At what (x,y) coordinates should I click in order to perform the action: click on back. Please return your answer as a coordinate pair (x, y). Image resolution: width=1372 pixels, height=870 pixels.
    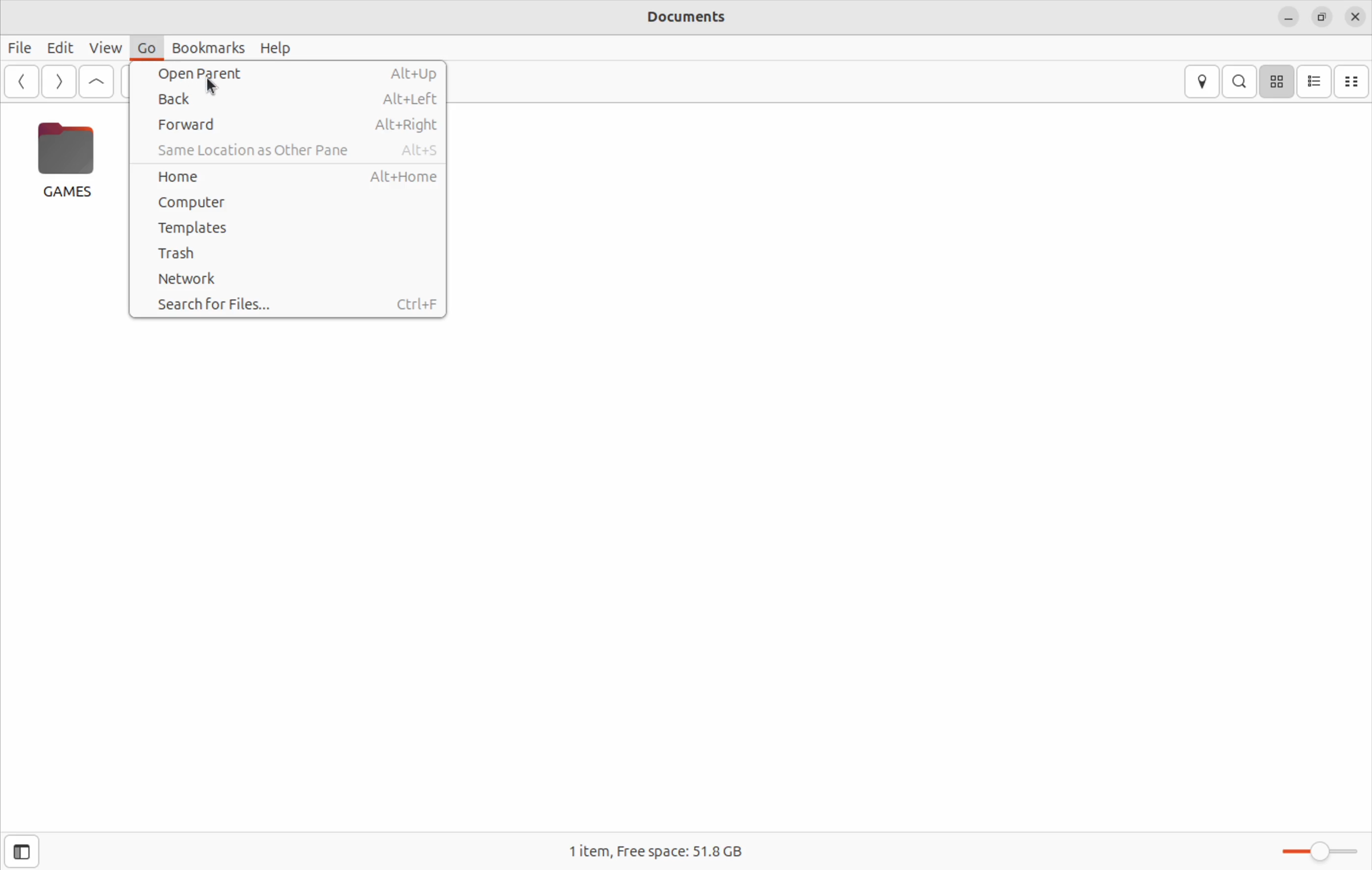
    Looking at the image, I should click on (289, 97).